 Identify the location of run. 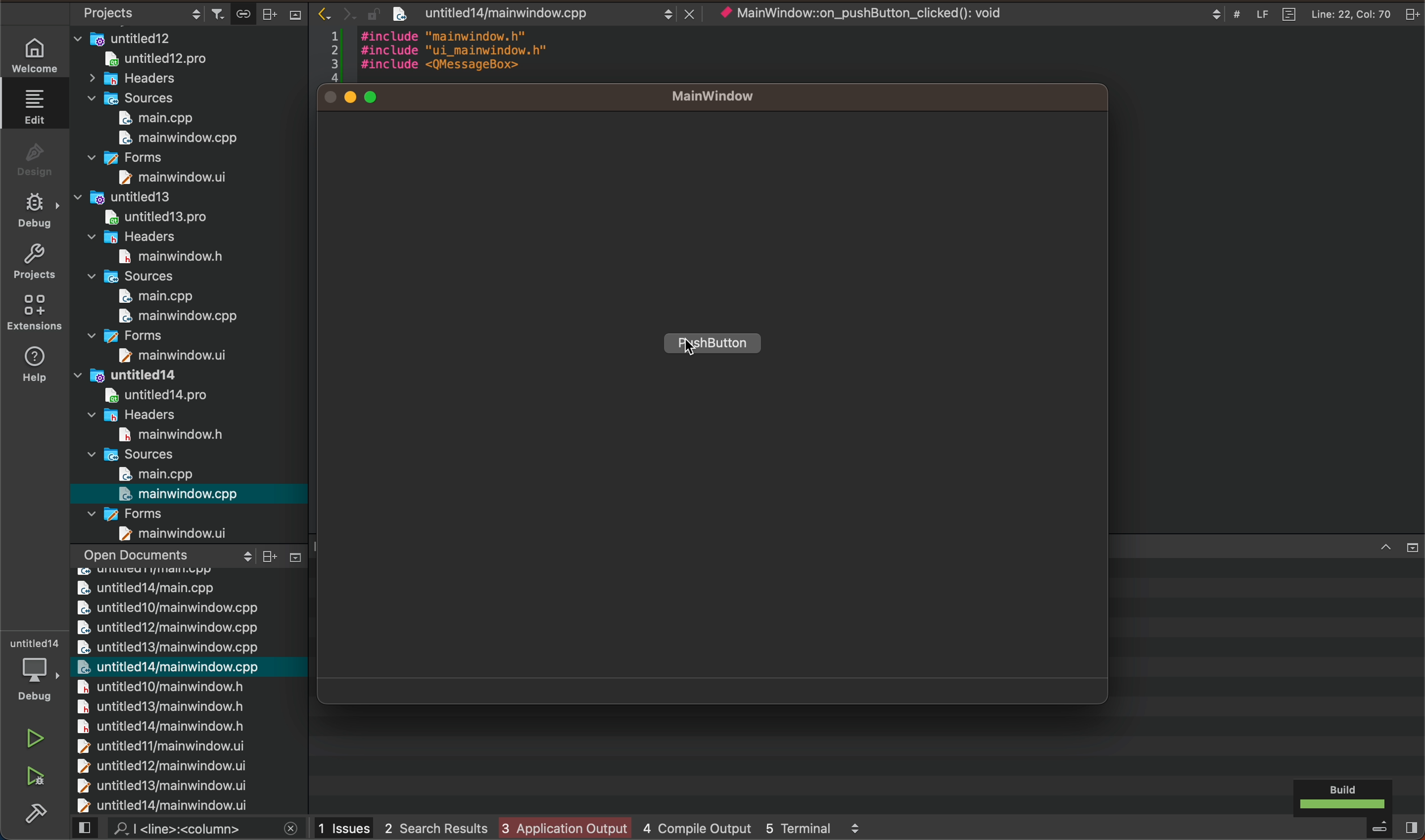
(33, 738).